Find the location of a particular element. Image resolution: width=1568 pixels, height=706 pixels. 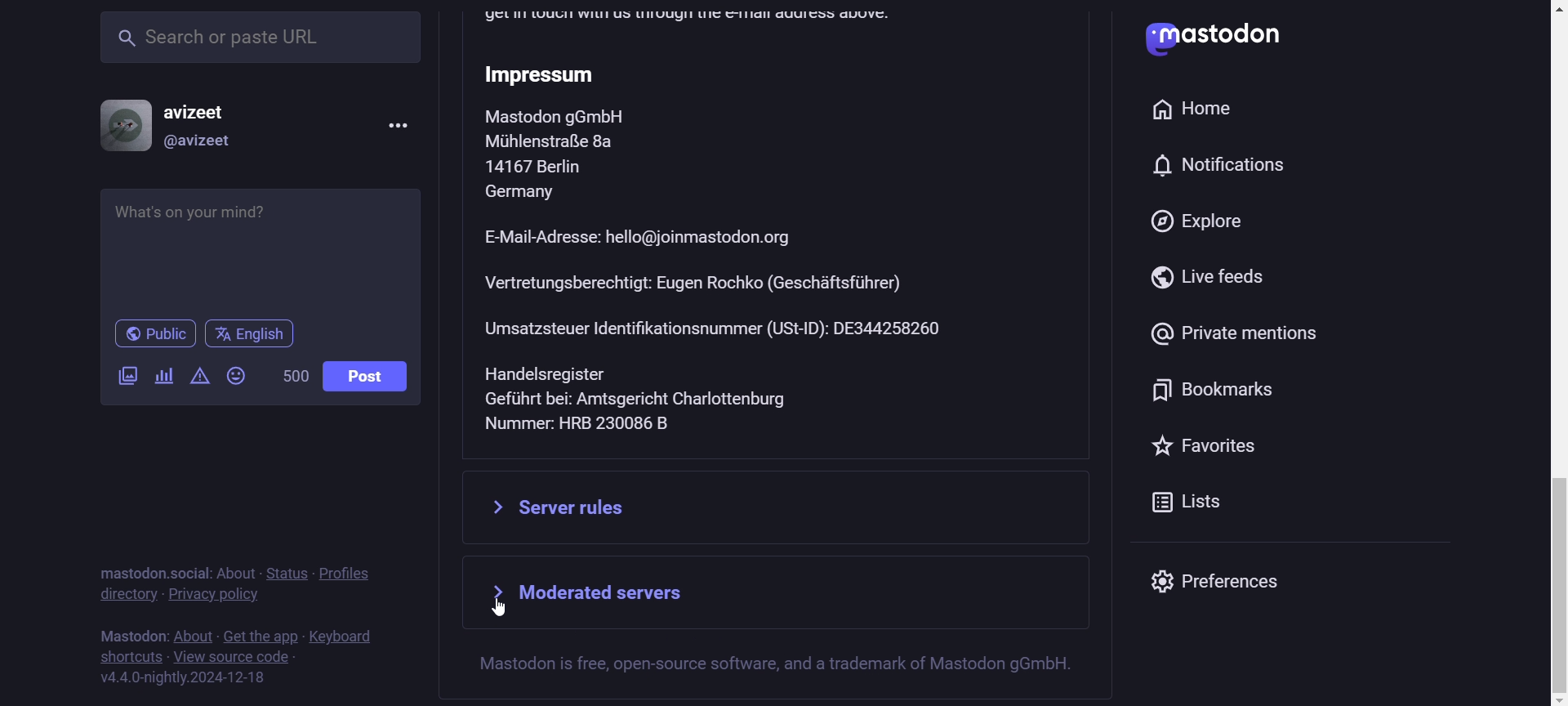

about is located at coordinates (234, 569).